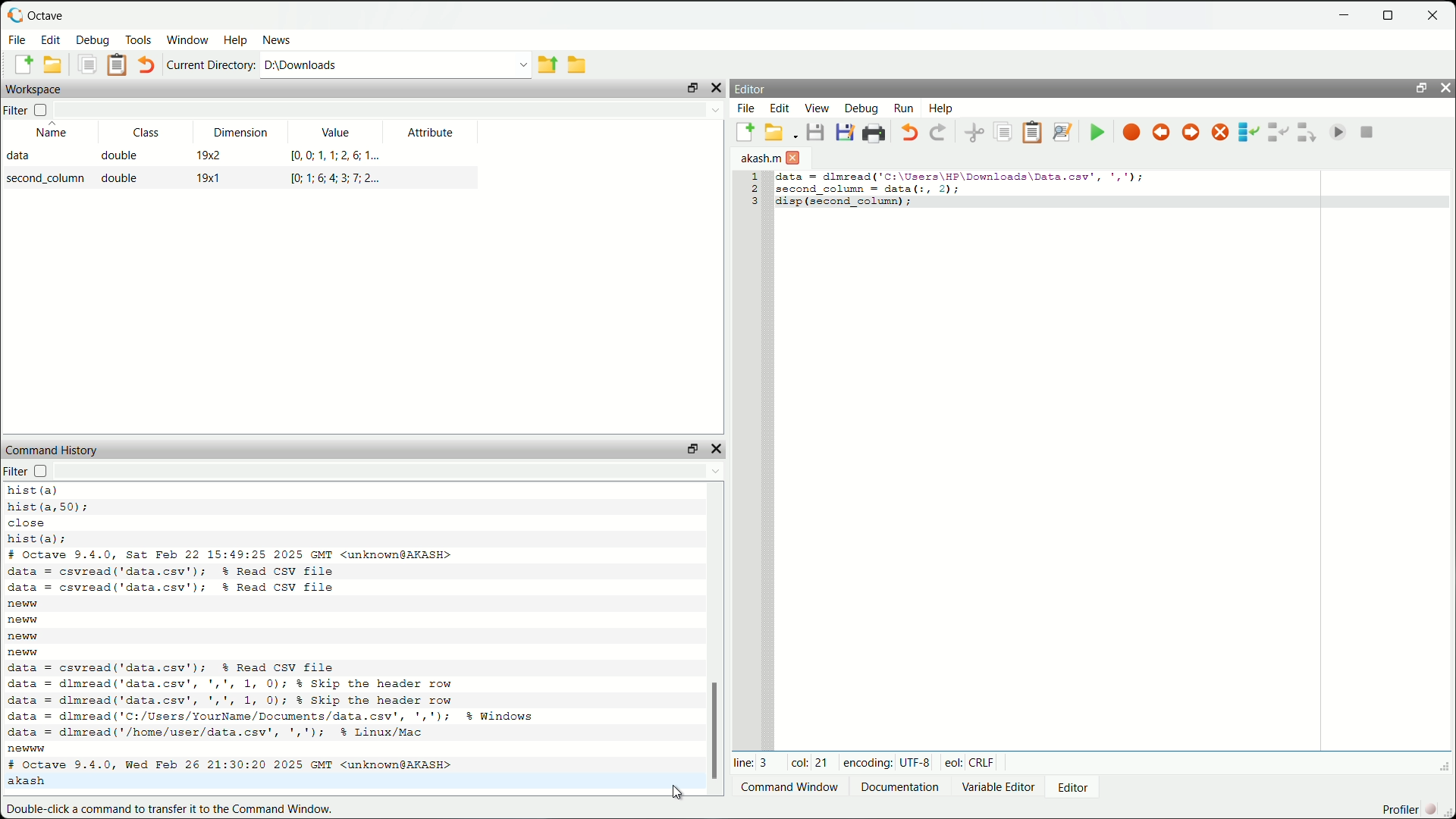 This screenshot has width=1456, height=819. Describe the element at coordinates (1097, 132) in the screenshot. I see `save file and run/continue` at that location.